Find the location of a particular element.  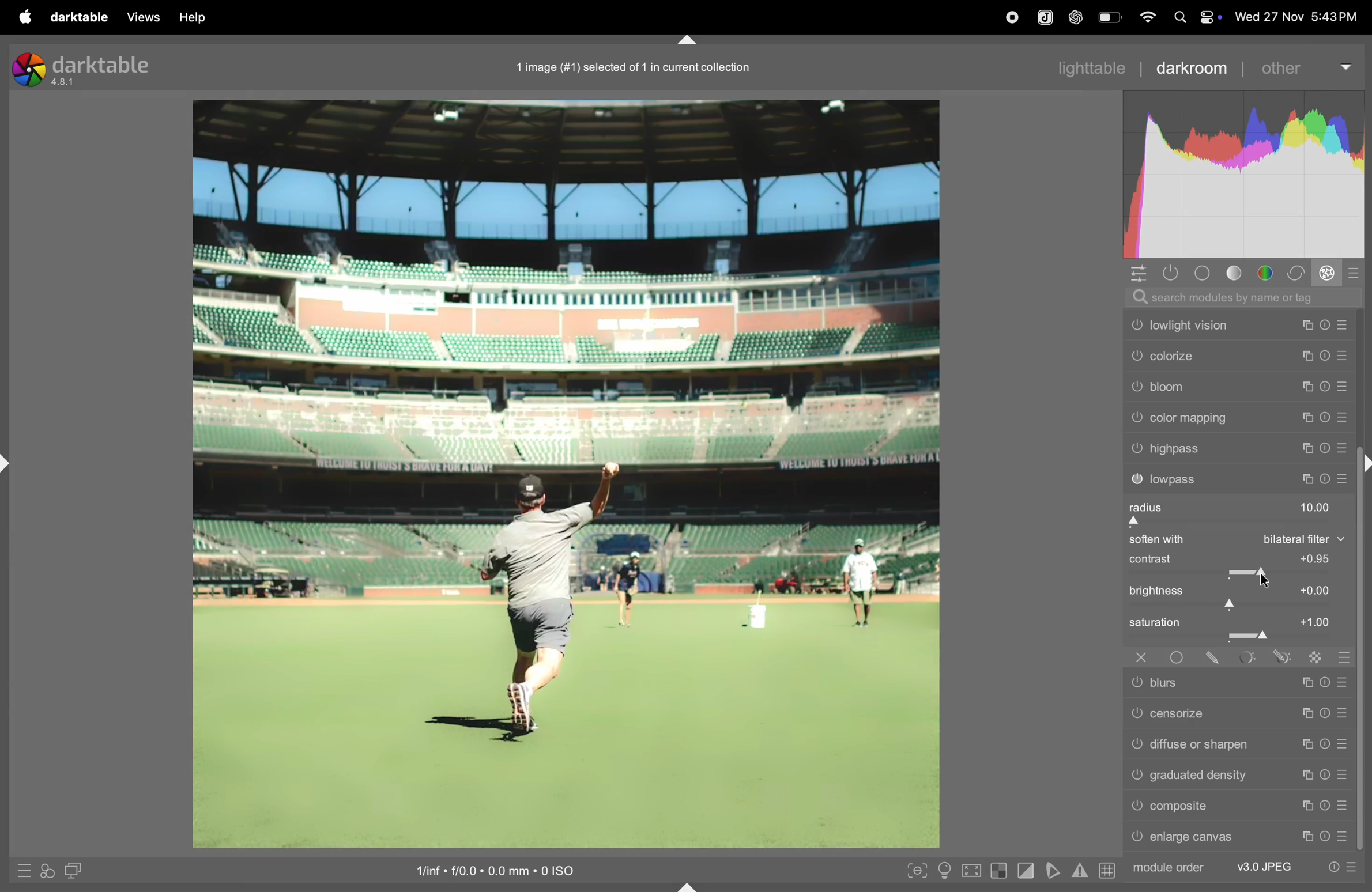

joplin is located at coordinates (1044, 16).